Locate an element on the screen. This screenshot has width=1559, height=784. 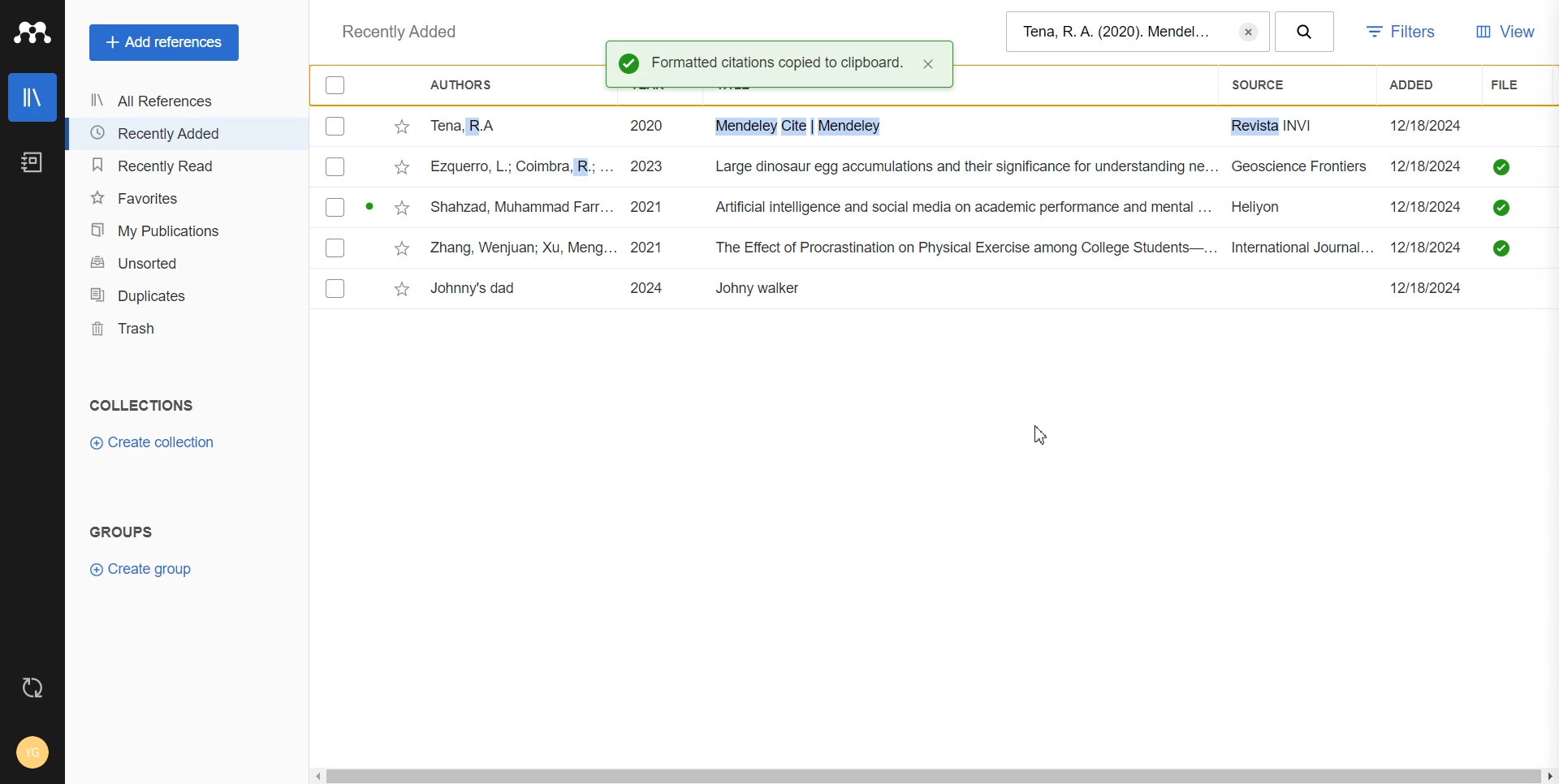
12/18/2024 is located at coordinates (1427, 166).